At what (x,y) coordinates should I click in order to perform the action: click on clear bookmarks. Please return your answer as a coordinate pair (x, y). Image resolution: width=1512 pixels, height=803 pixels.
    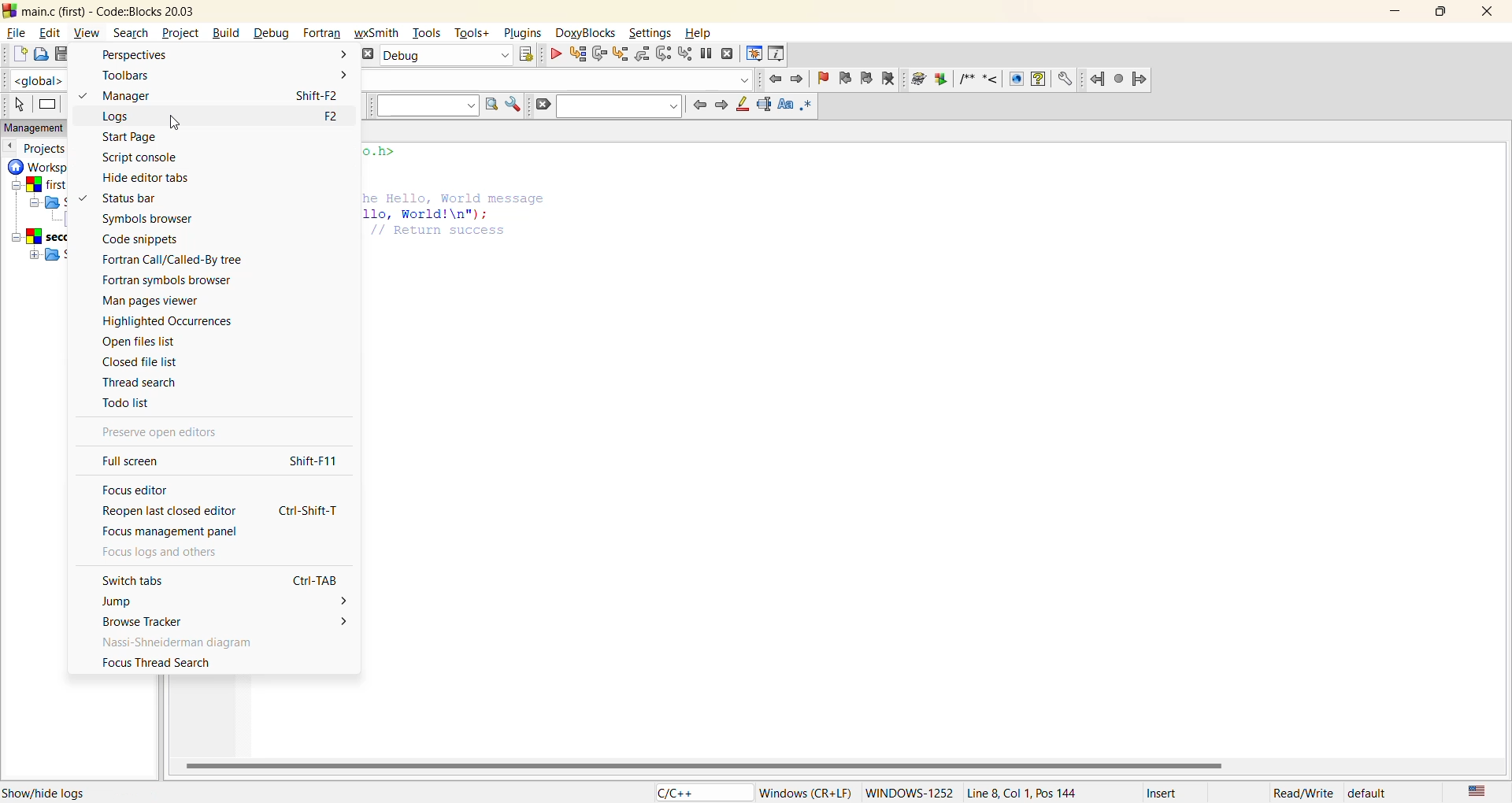
    Looking at the image, I should click on (887, 79).